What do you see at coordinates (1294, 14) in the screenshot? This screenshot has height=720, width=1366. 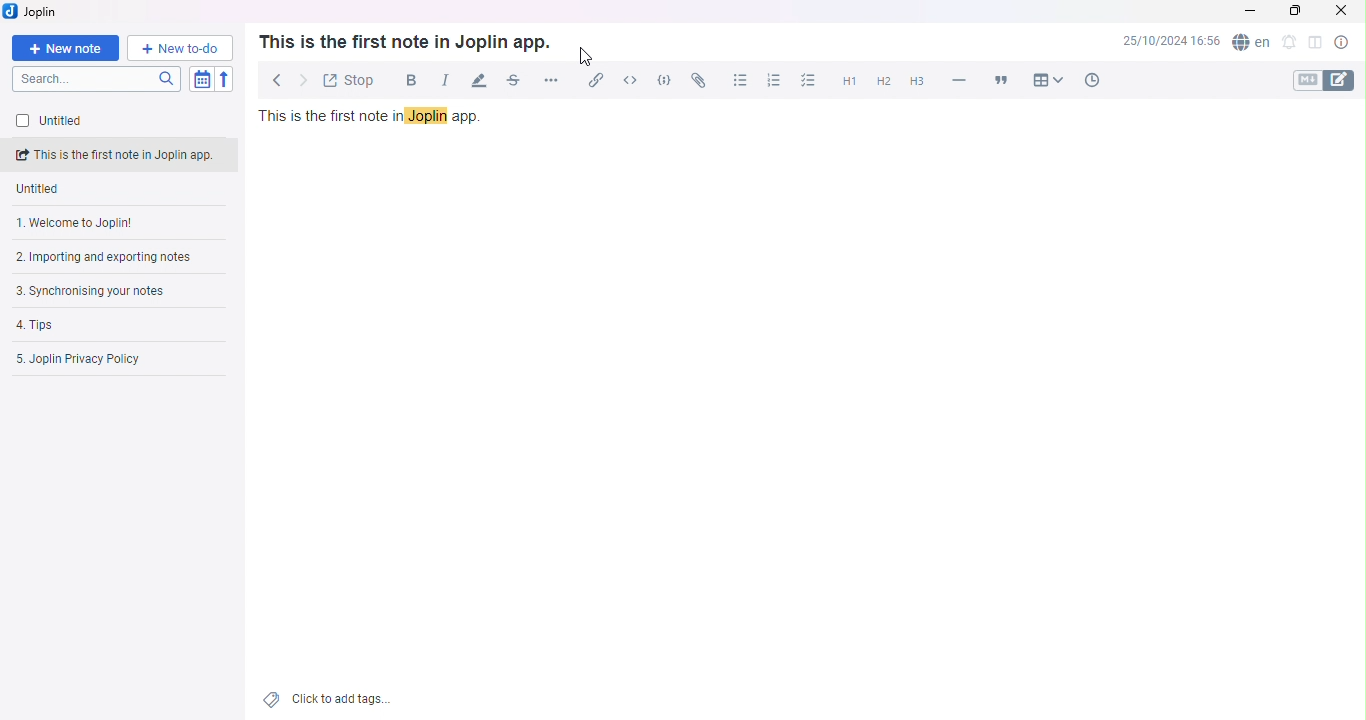 I see `Maximize` at bounding box center [1294, 14].